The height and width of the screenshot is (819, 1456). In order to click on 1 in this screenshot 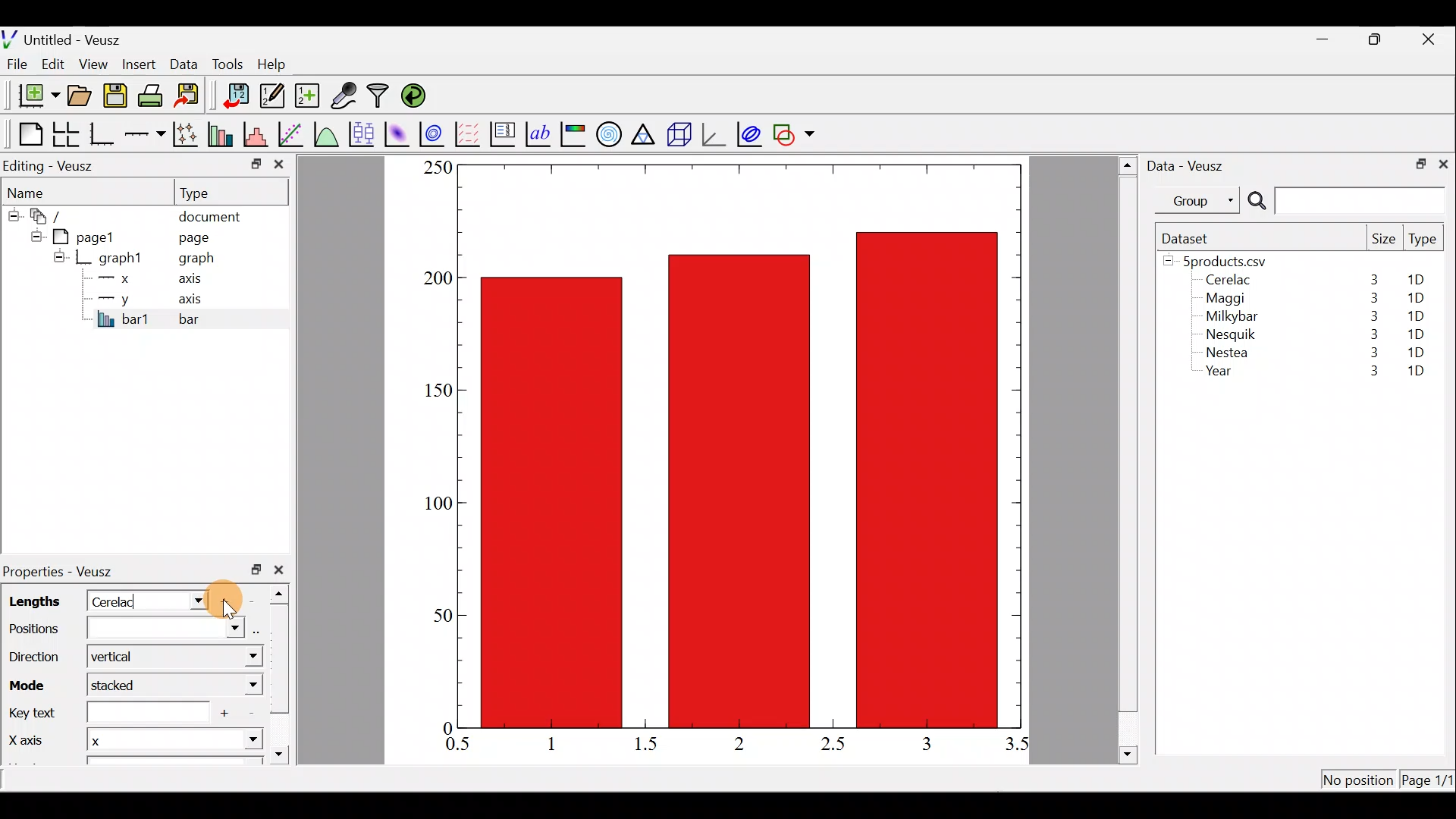, I will do `click(563, 743)`.